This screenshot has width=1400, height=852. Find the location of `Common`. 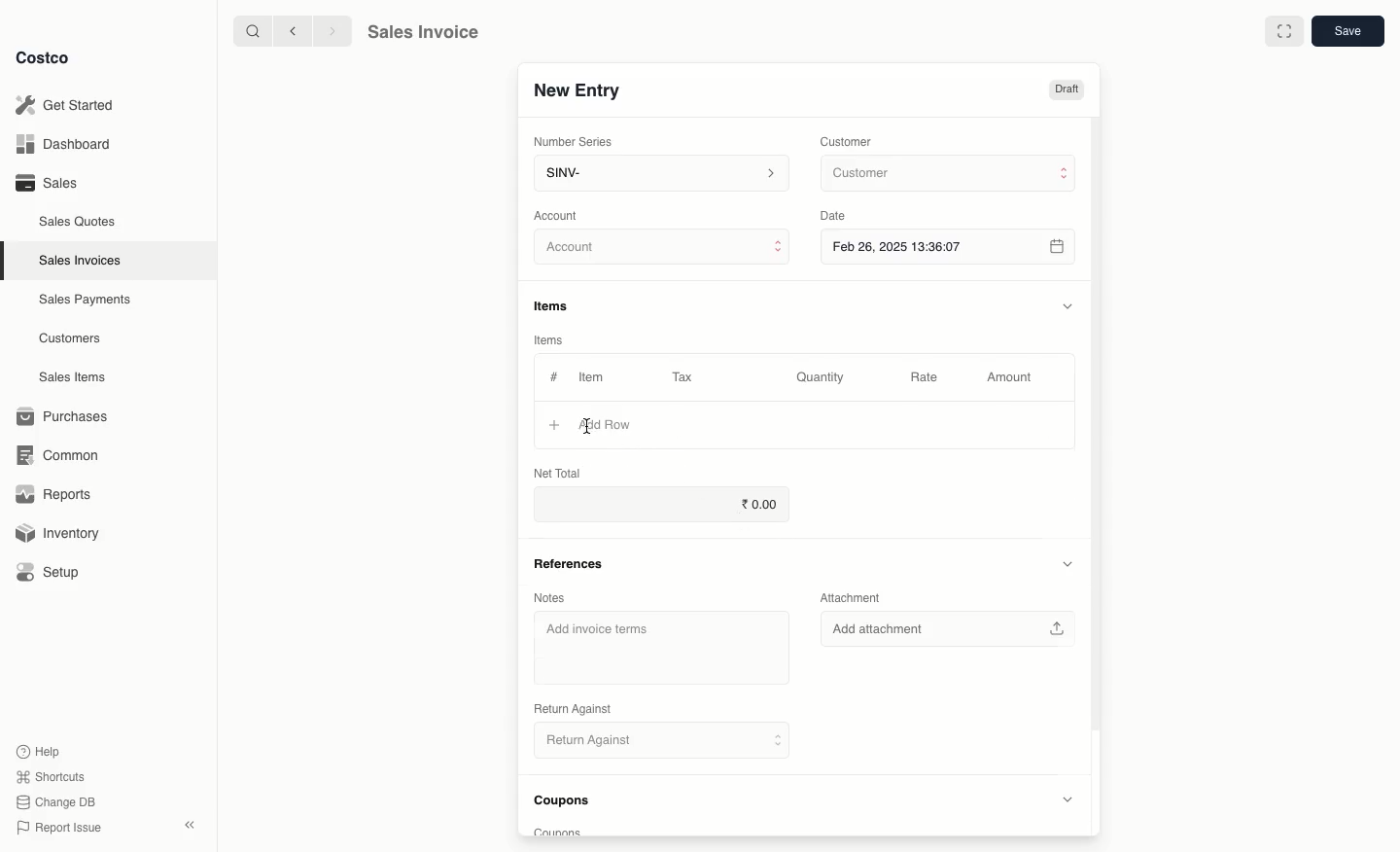

Common is located at coordinates (66, 455).